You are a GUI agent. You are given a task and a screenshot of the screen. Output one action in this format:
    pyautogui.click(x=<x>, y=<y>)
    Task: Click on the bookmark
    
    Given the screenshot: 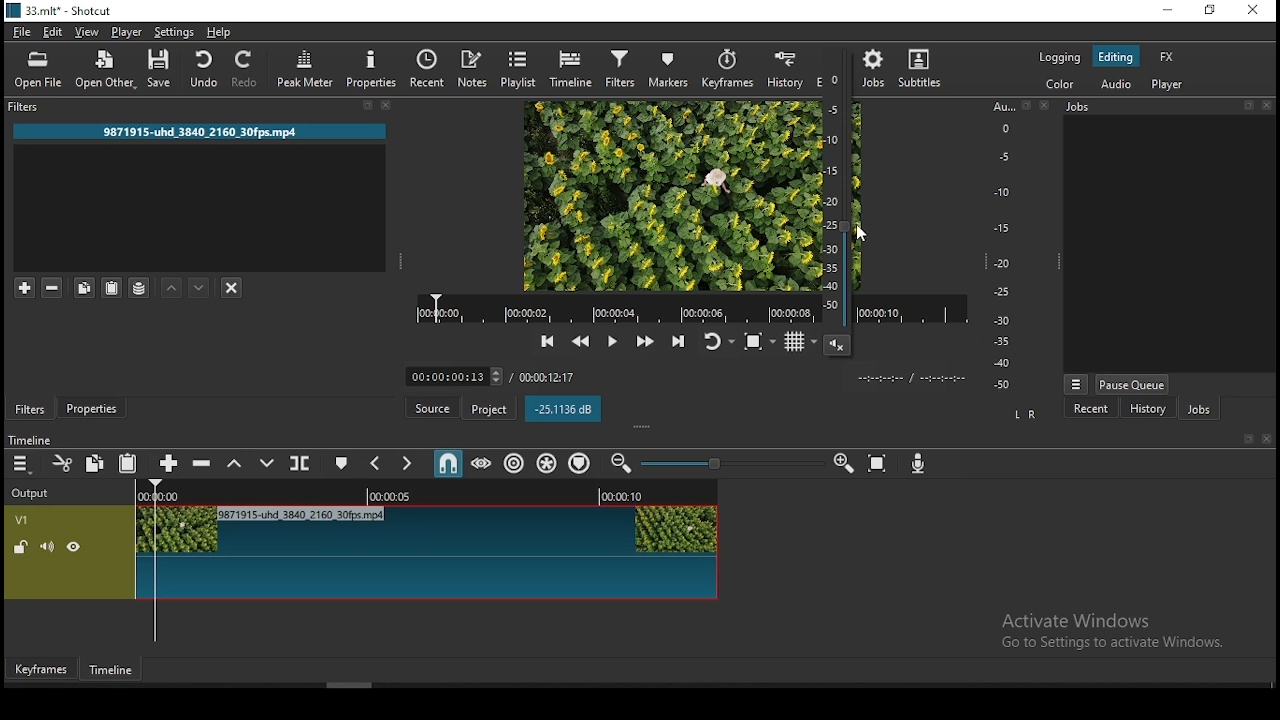 What is the action you would take?
    pyautogui.click(x=364, y=105)
    